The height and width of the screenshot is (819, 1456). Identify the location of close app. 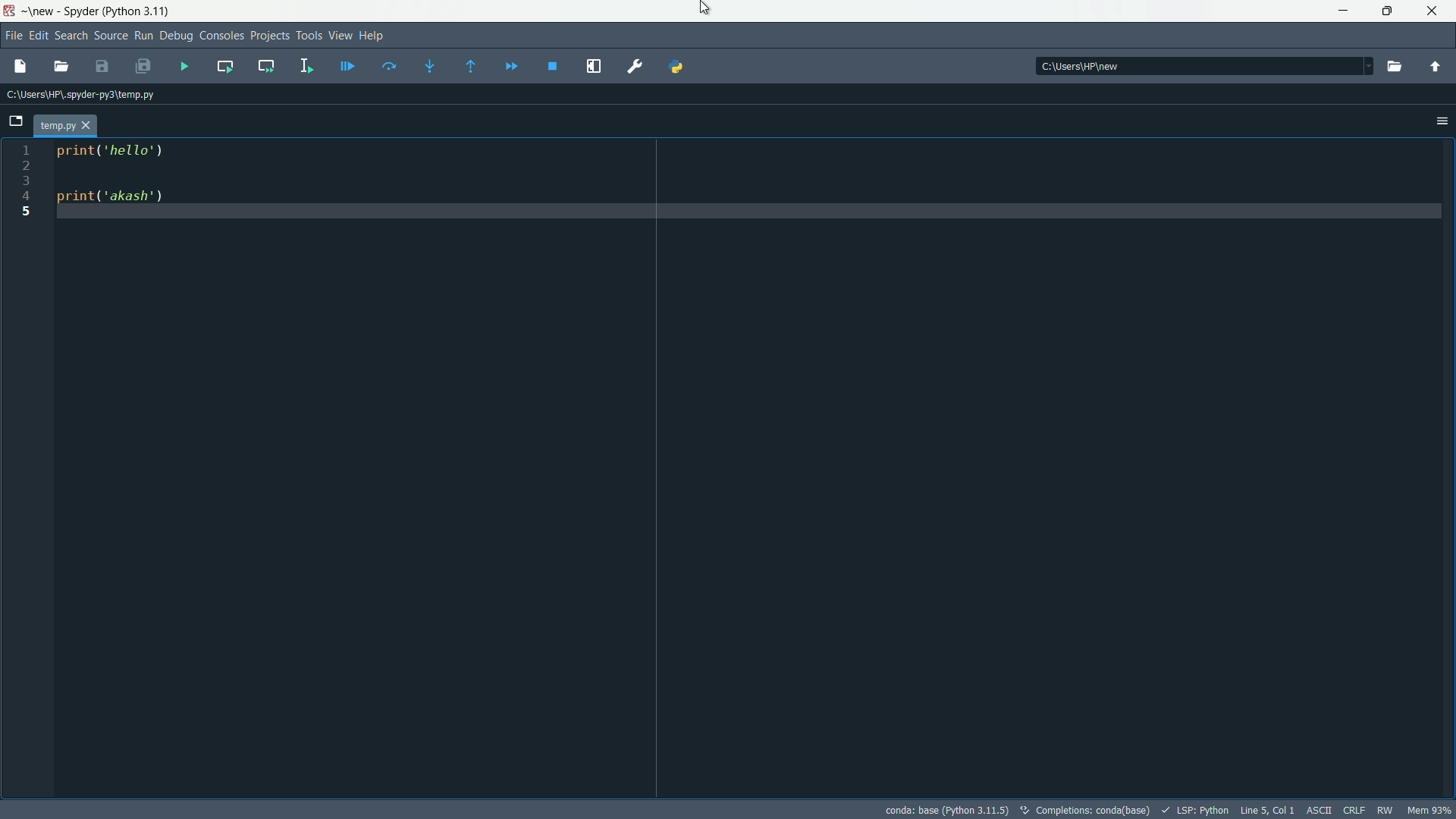
(1434, 11).